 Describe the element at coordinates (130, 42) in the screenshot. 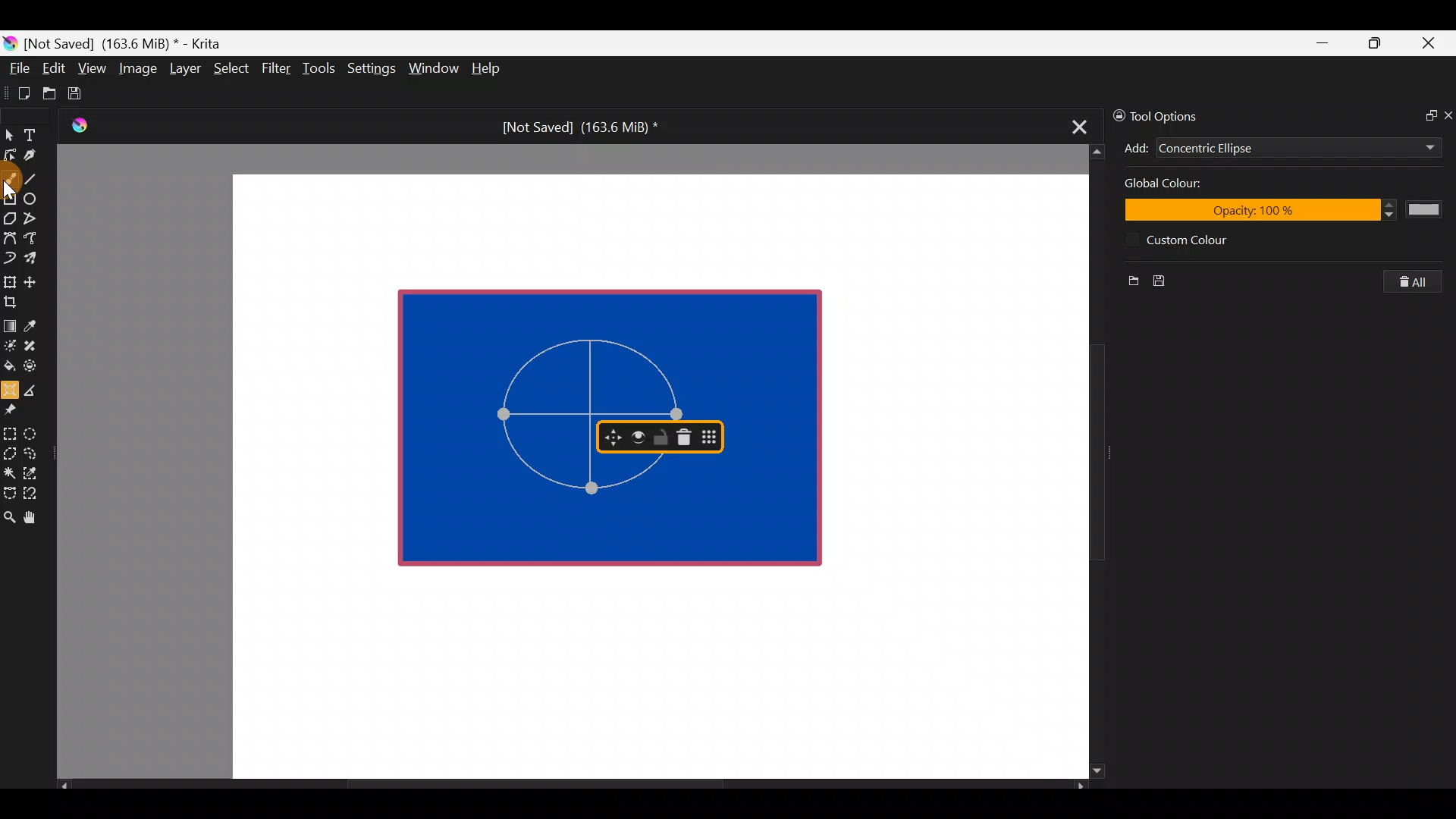

I see `[Not Saved] (163.6 MiB) * - Krita` at that location.